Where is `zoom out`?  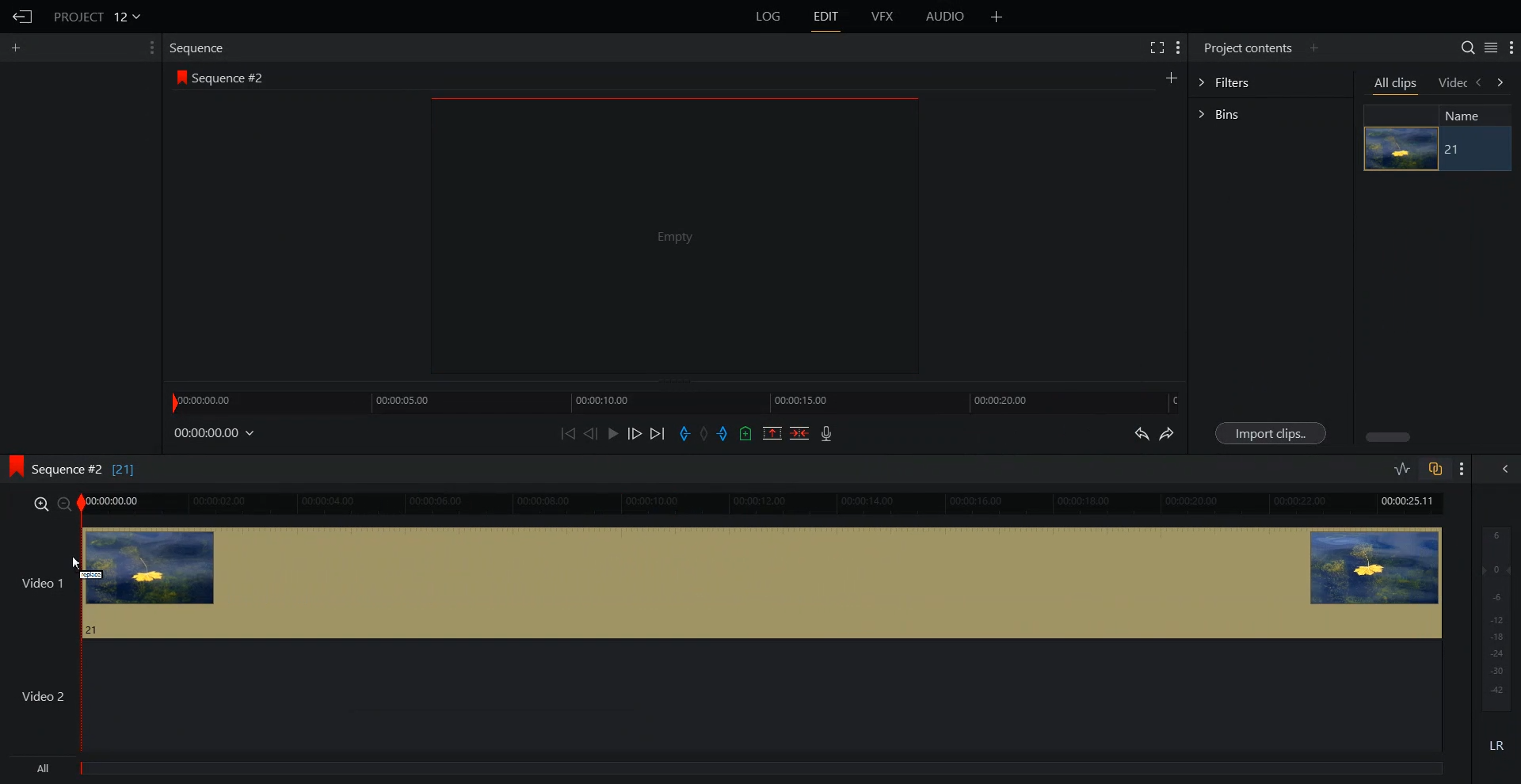 zoom out is located at coordinates (64, 504).